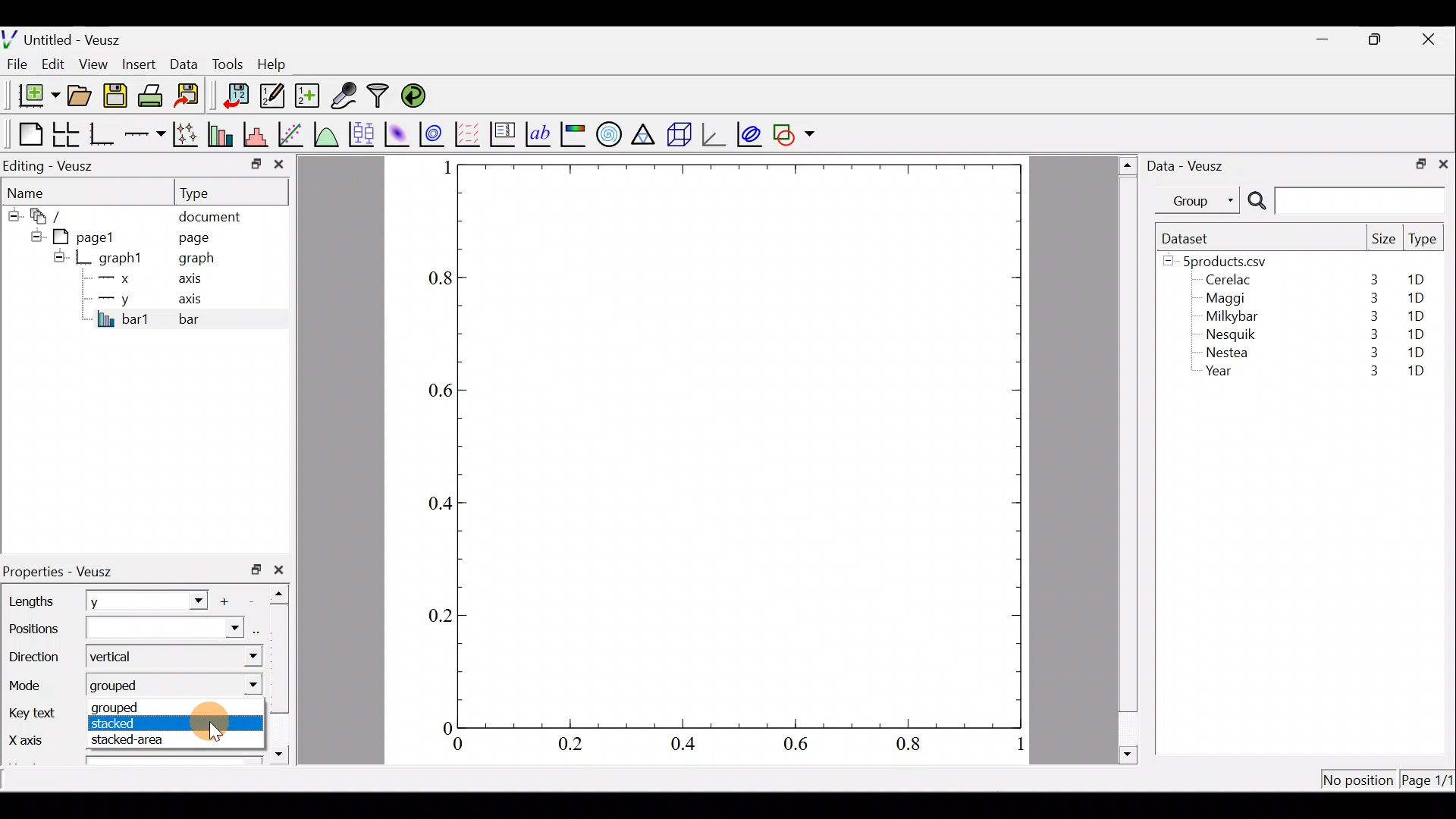 The width and height of the screenshot is (1456, 819). What do you see at coordinates (1228, 318) in the screenshot?
I see `Milkybar` at bounding box center [1228, 318].